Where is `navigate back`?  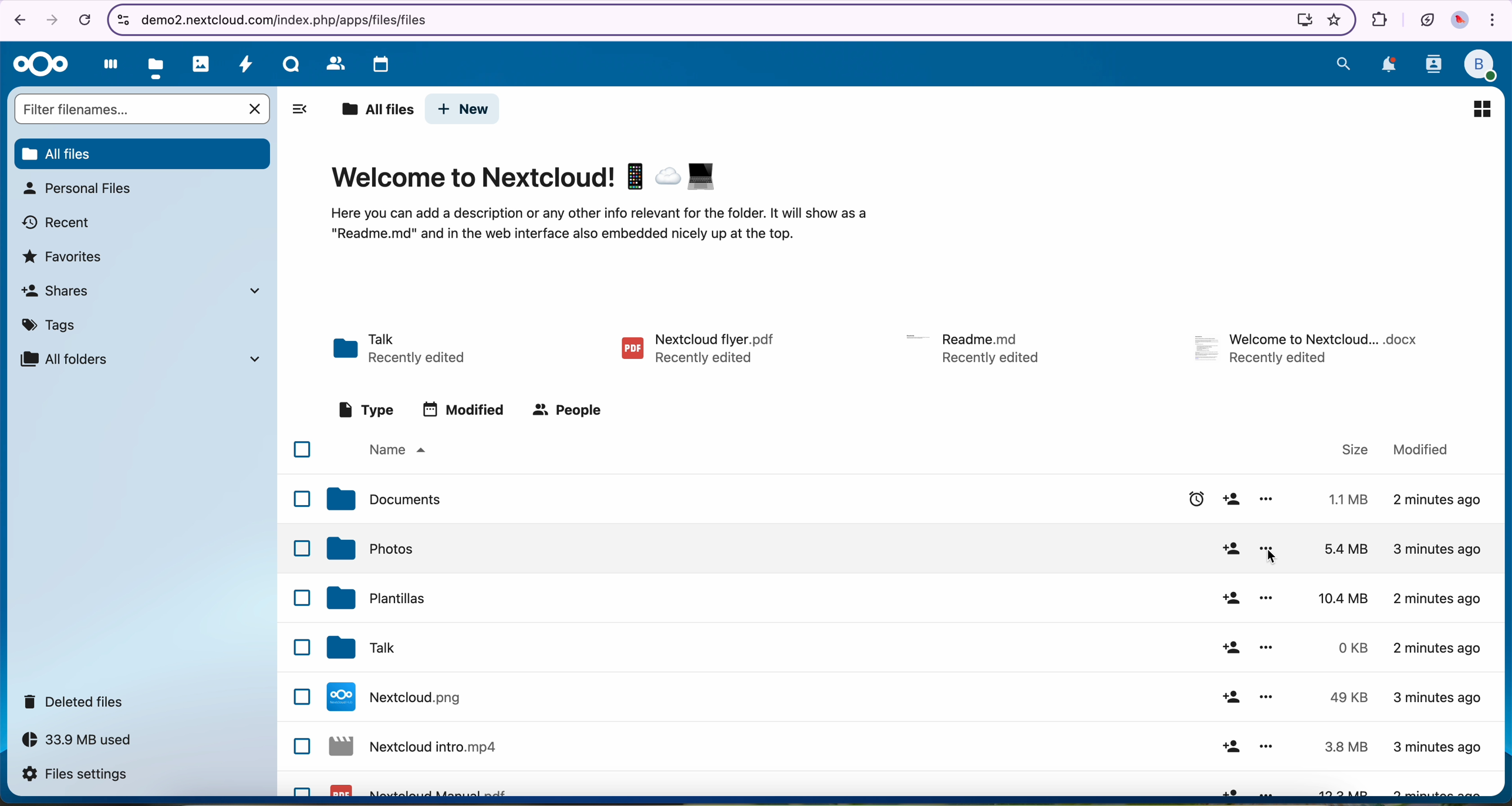 navigate back is located at coordinates (17, 22).